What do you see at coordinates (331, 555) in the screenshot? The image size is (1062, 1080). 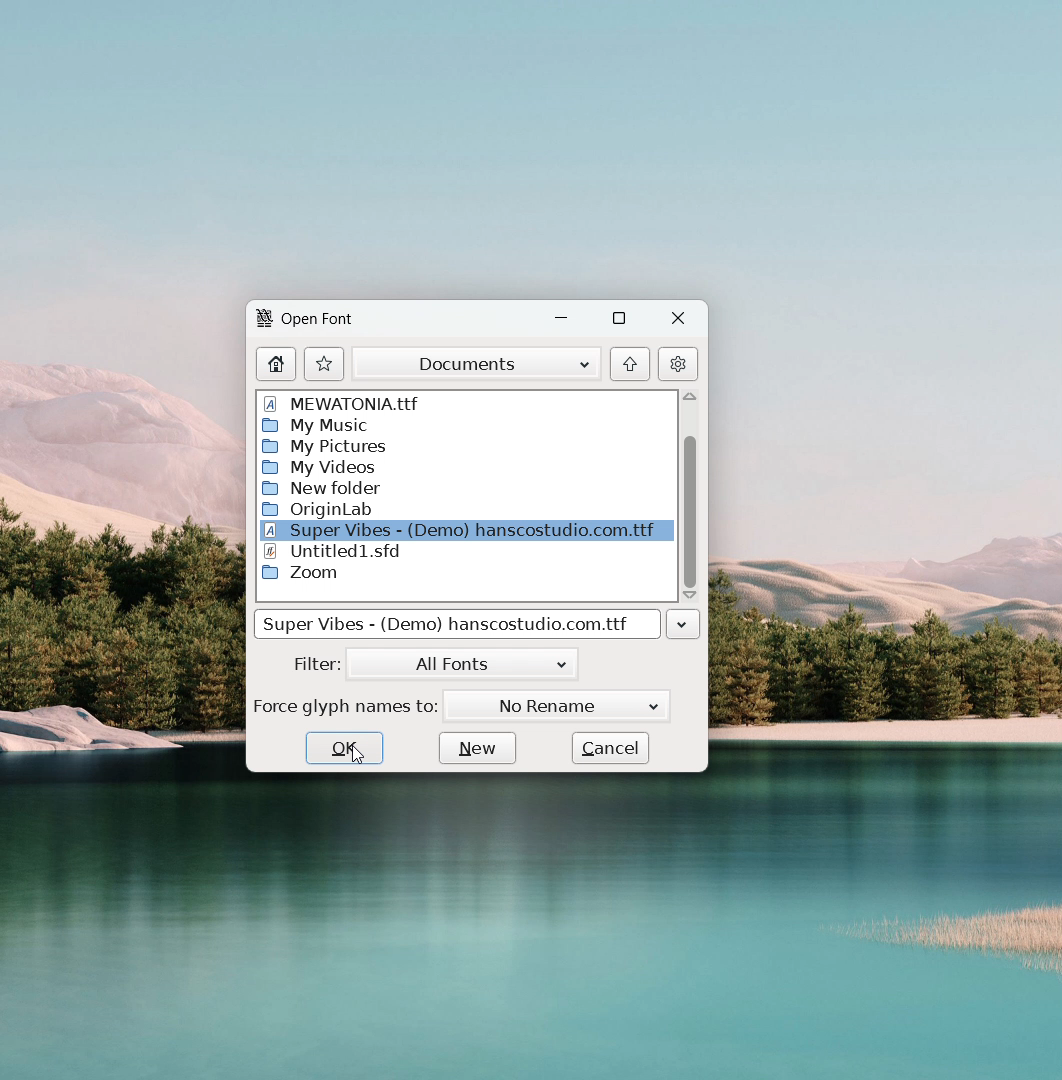 I see `Untitled1.std` at bounding box center [331, 555].